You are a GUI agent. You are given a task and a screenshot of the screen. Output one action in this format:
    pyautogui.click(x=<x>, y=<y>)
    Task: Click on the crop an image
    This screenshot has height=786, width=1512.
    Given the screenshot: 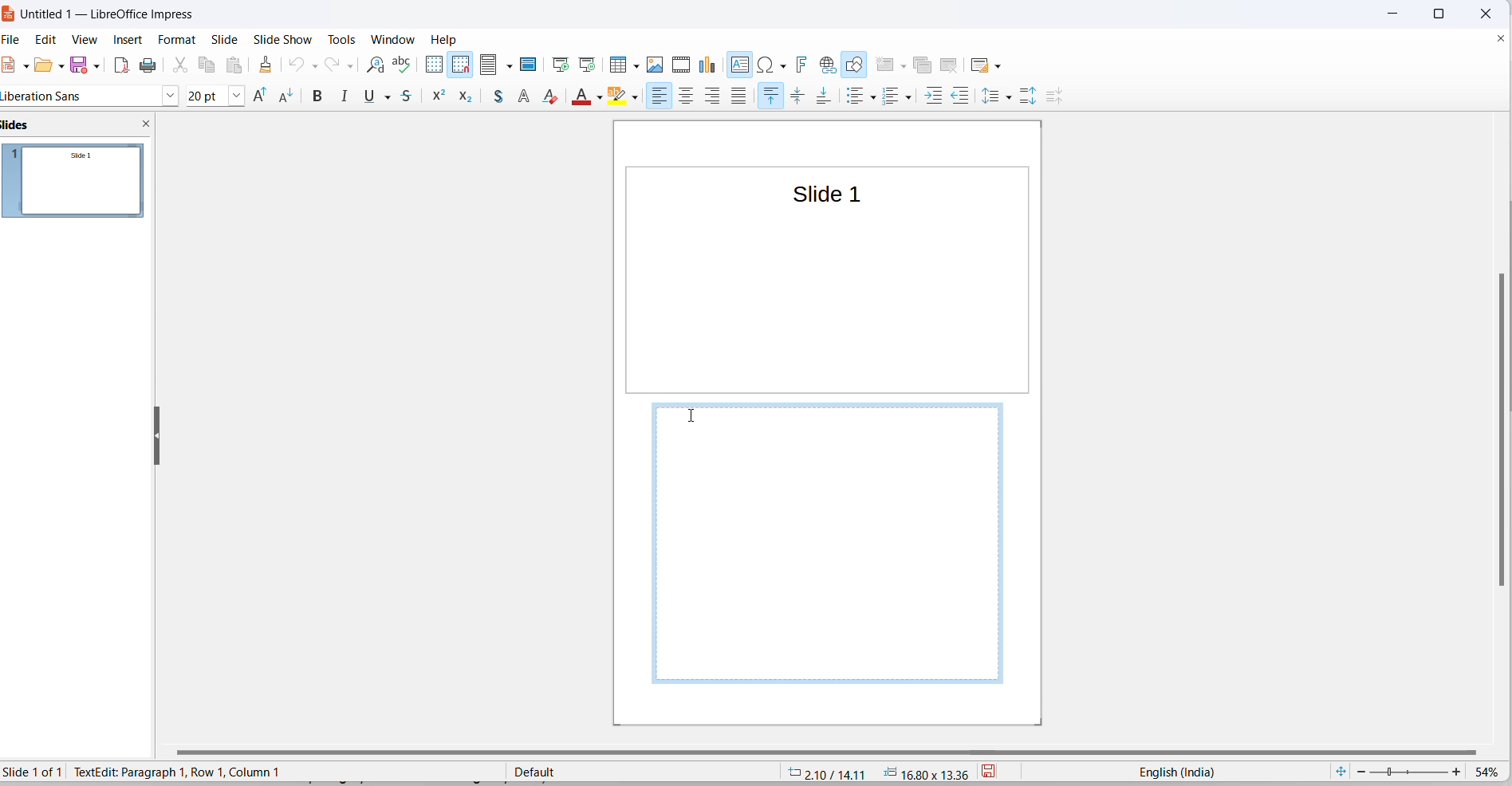 What is the action you would take?
    pyautogui.click(x=755, y=98)
    